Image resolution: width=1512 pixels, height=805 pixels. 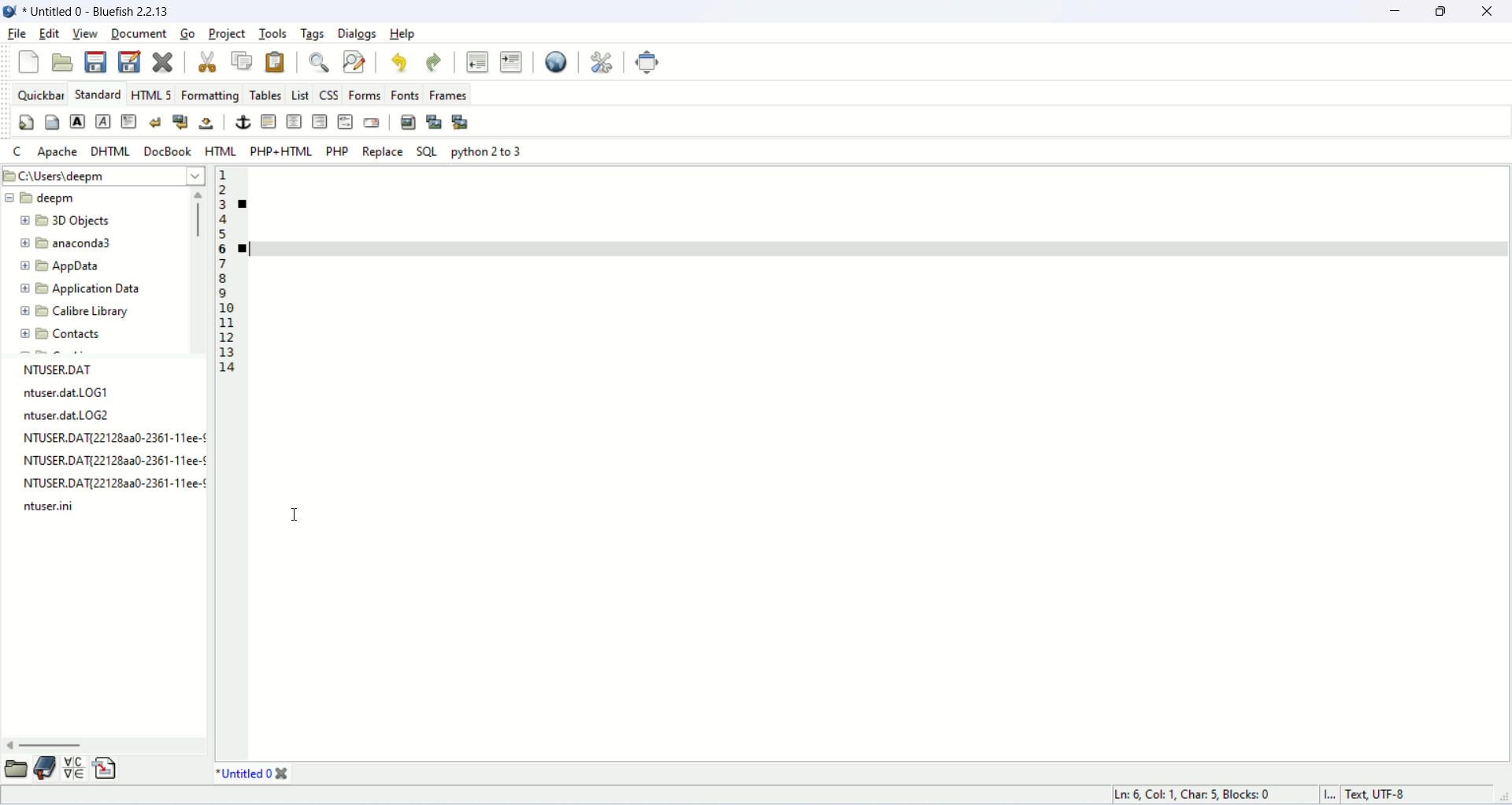 What do you see at coordinates (243, 122) in the screenshot?
I see `anchor` at bounding box center [243, 122].